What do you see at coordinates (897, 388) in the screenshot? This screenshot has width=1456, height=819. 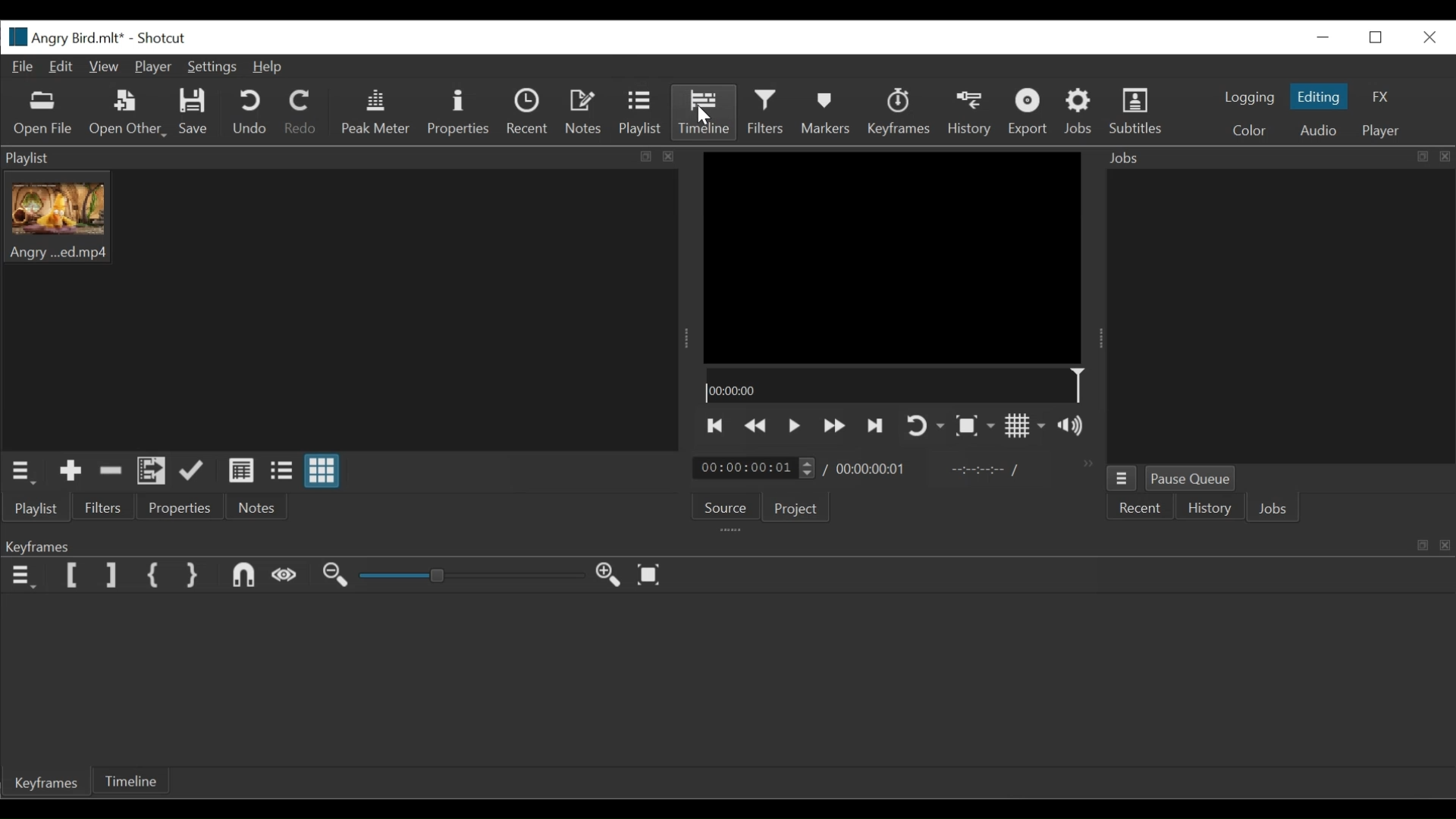 I see `Timeline` at bounding box center [897, 388].